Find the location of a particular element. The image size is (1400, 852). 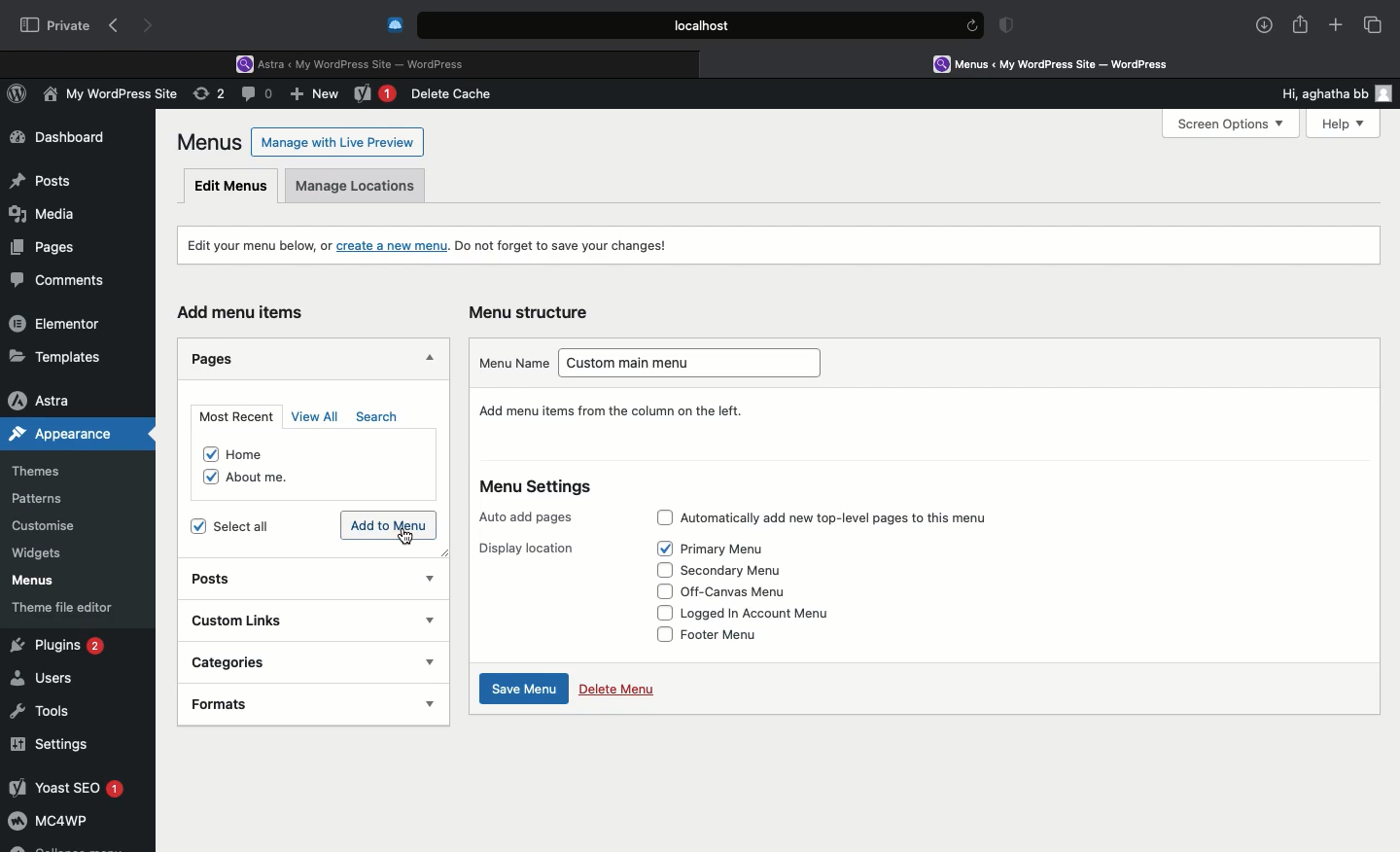

WordPress Logo is located at coordinates (20, 96).